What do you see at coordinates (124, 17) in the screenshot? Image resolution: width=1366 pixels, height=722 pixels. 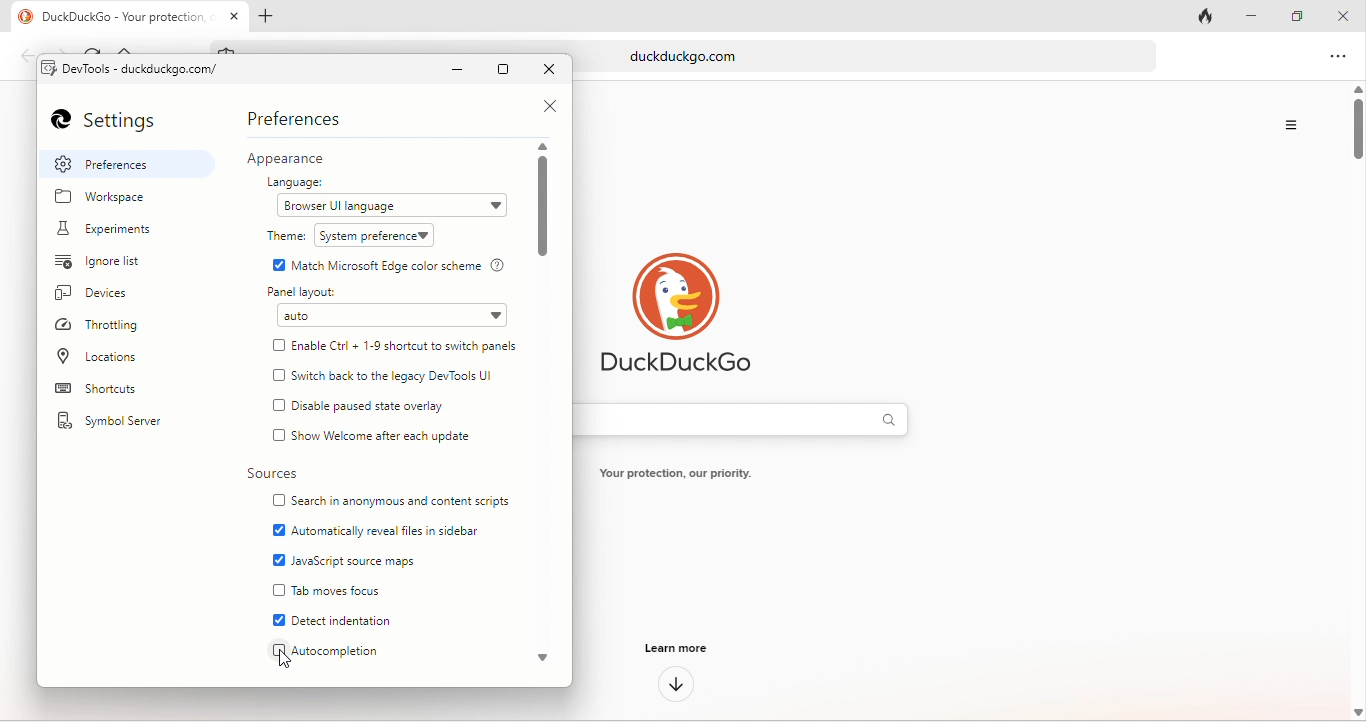 I see `D DuckDuckGo - Your protection` at bounding box center [124, 17].